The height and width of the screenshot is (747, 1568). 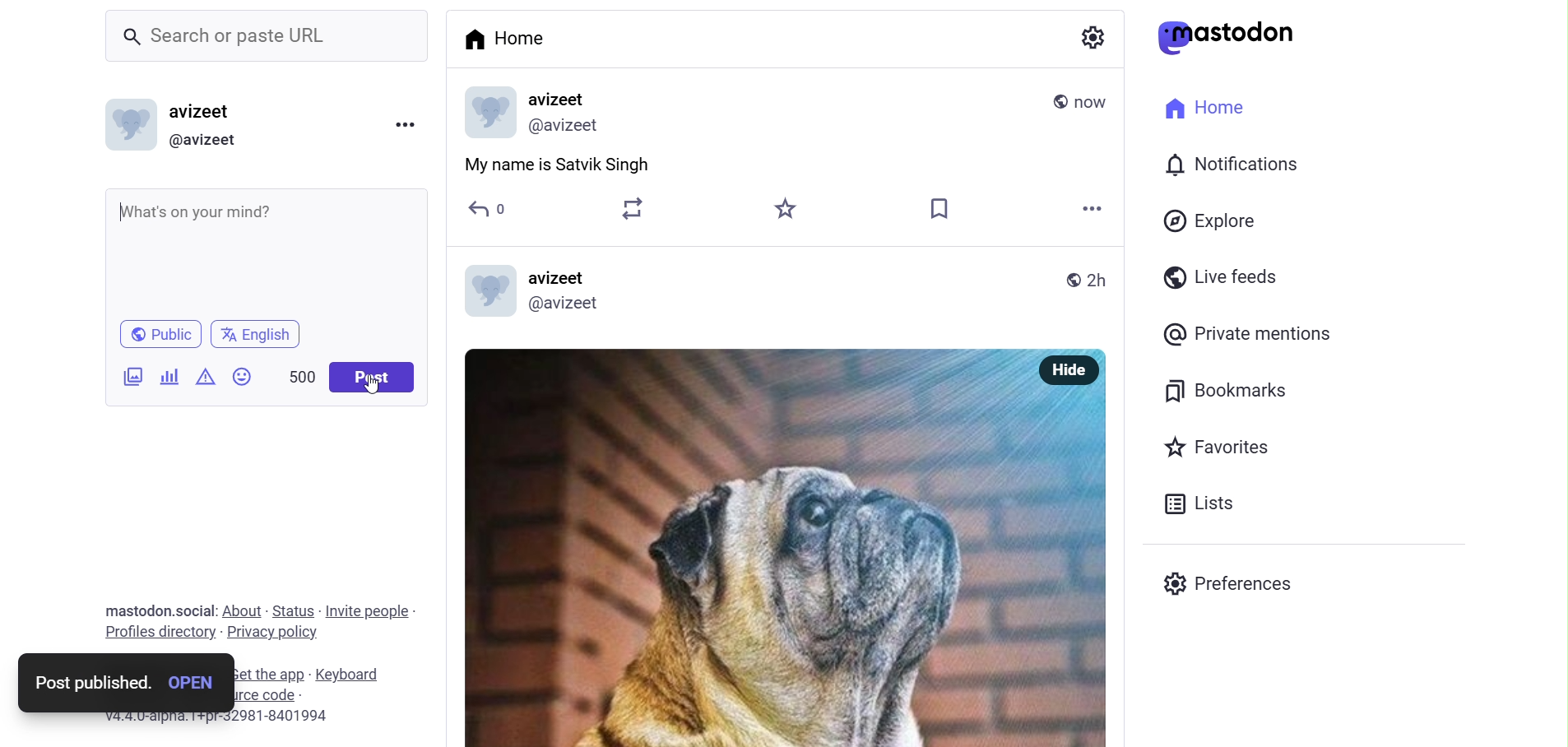 I want to click on Explore, so click(x=1211, y=220).